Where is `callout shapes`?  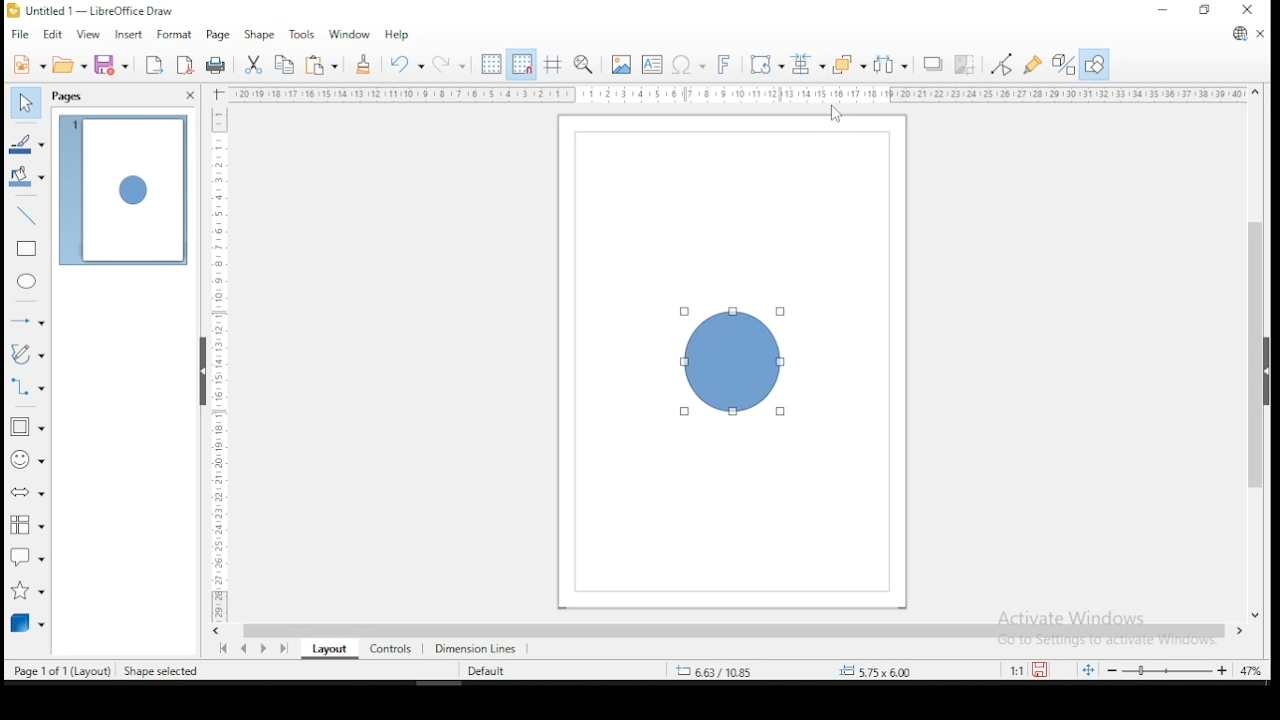
callout shapes is located at coordinates (28, 556).